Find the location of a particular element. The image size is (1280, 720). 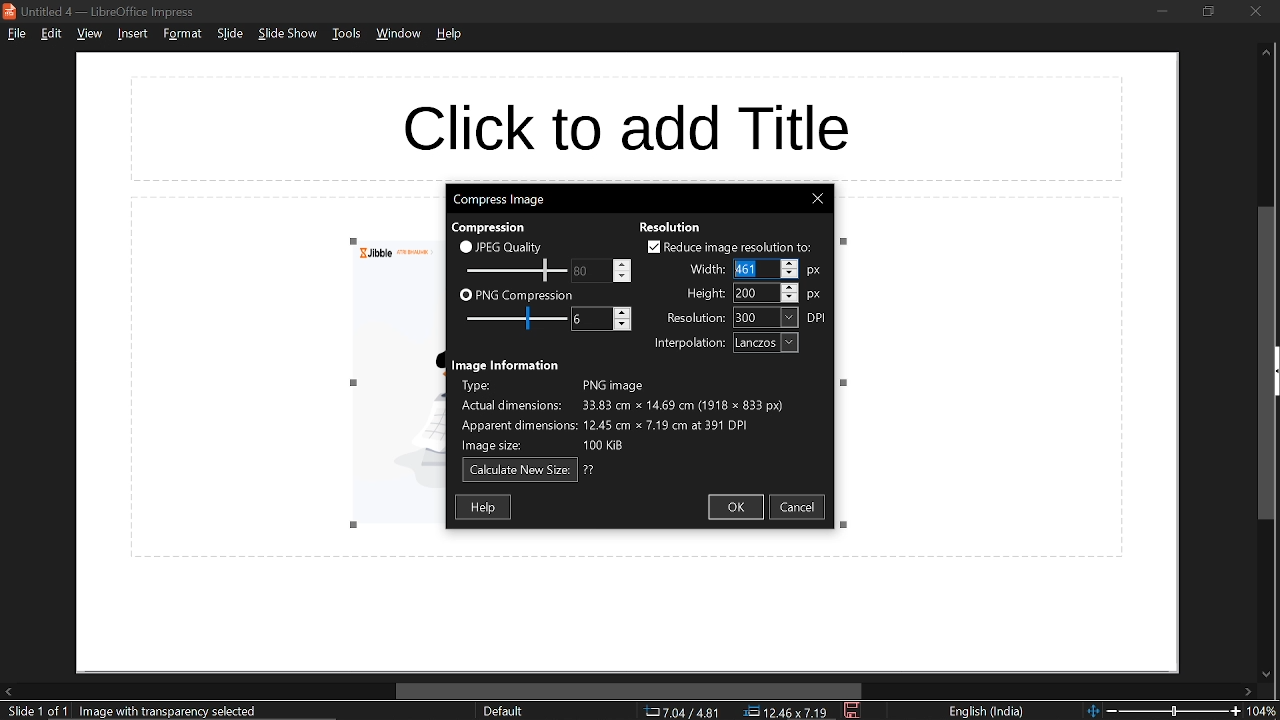

interpolation is located at coordinates (765, 343).